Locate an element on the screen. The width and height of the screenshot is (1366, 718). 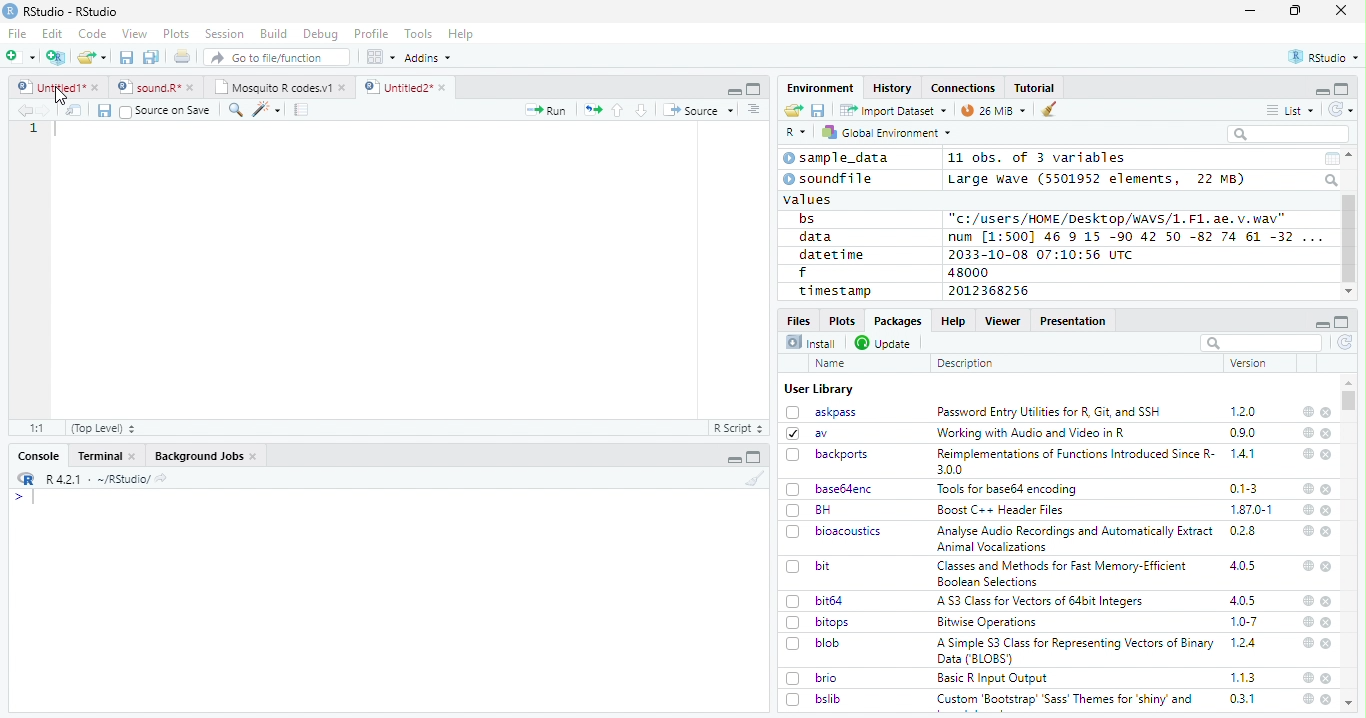
scroll down is located at coordinates (1348, 292).